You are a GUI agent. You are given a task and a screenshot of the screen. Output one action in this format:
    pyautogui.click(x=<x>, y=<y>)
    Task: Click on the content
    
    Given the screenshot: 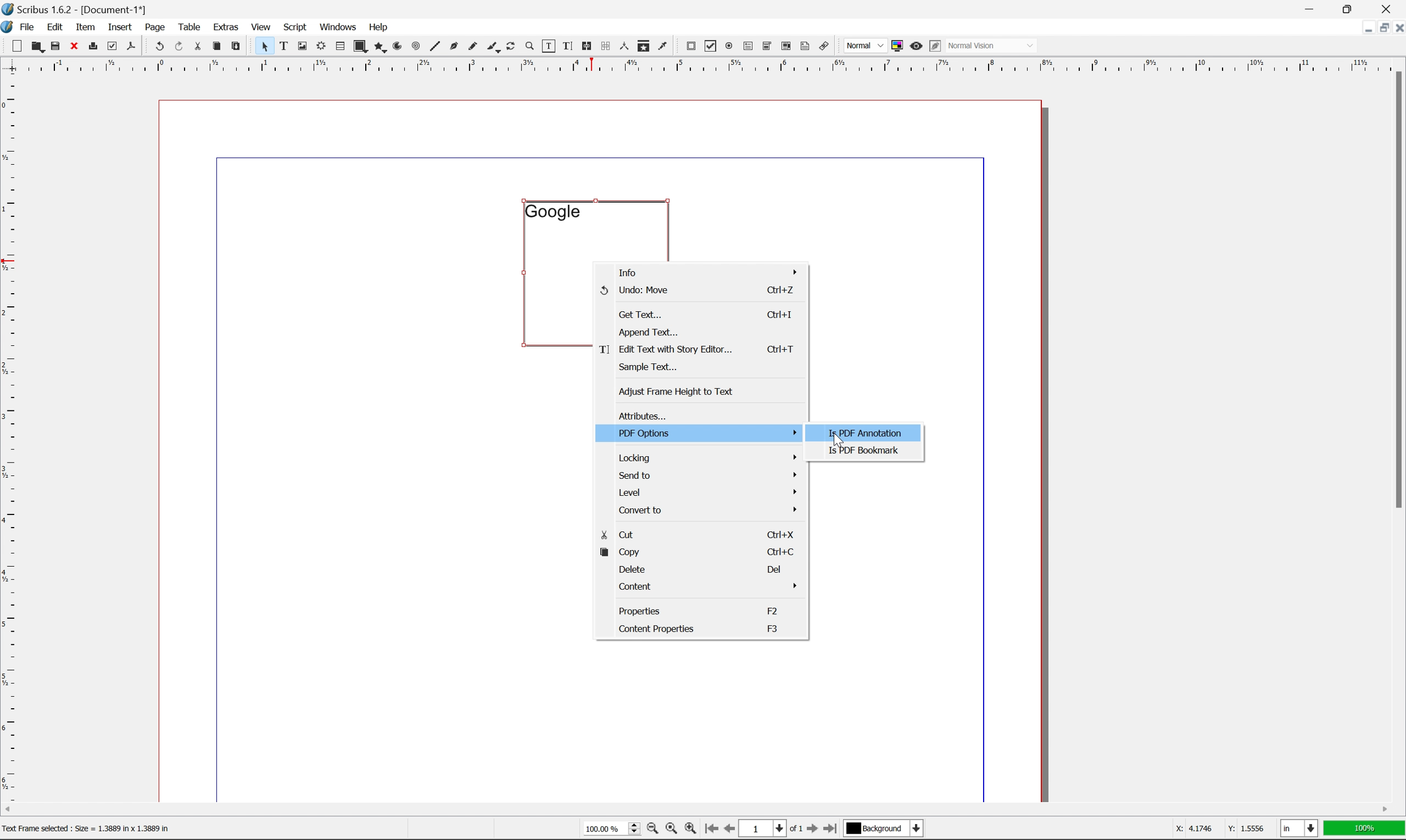 What is the action you would take?
    pyautogui.click(x=712, y=588)
    